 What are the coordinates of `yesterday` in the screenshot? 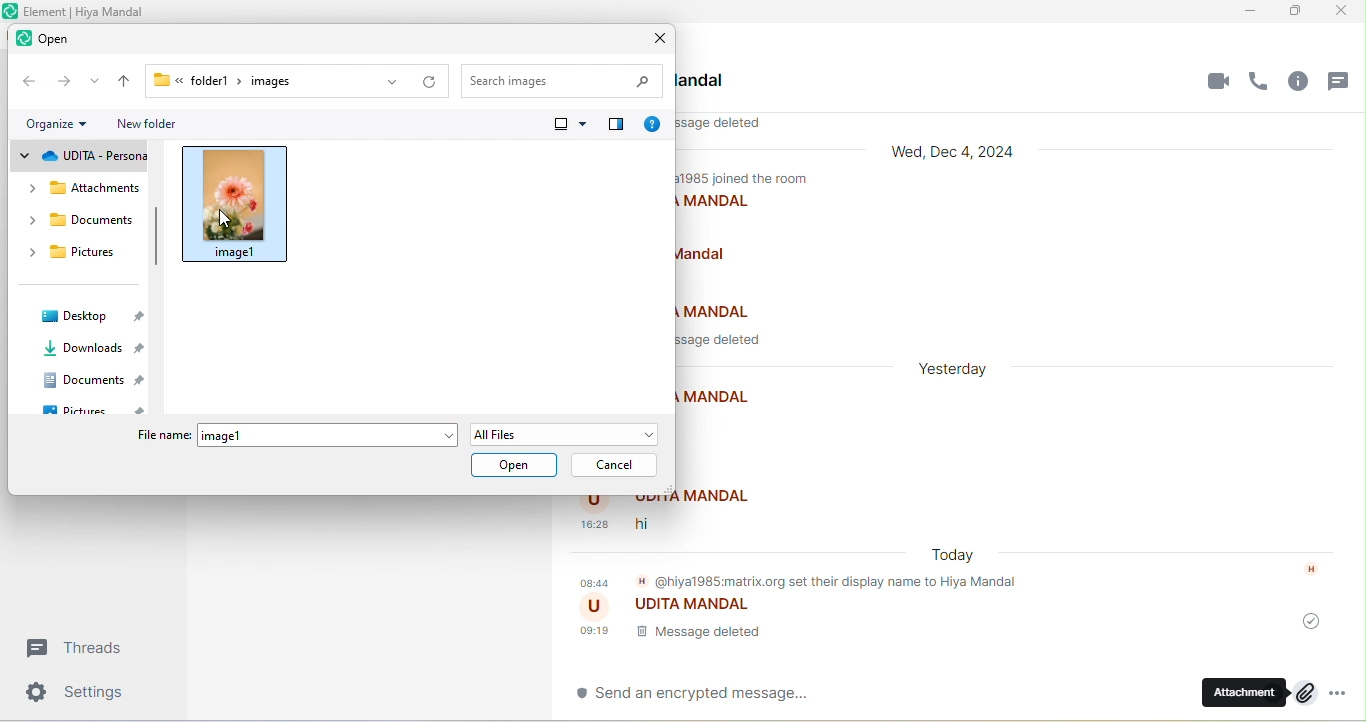 It's located at (964, 366).